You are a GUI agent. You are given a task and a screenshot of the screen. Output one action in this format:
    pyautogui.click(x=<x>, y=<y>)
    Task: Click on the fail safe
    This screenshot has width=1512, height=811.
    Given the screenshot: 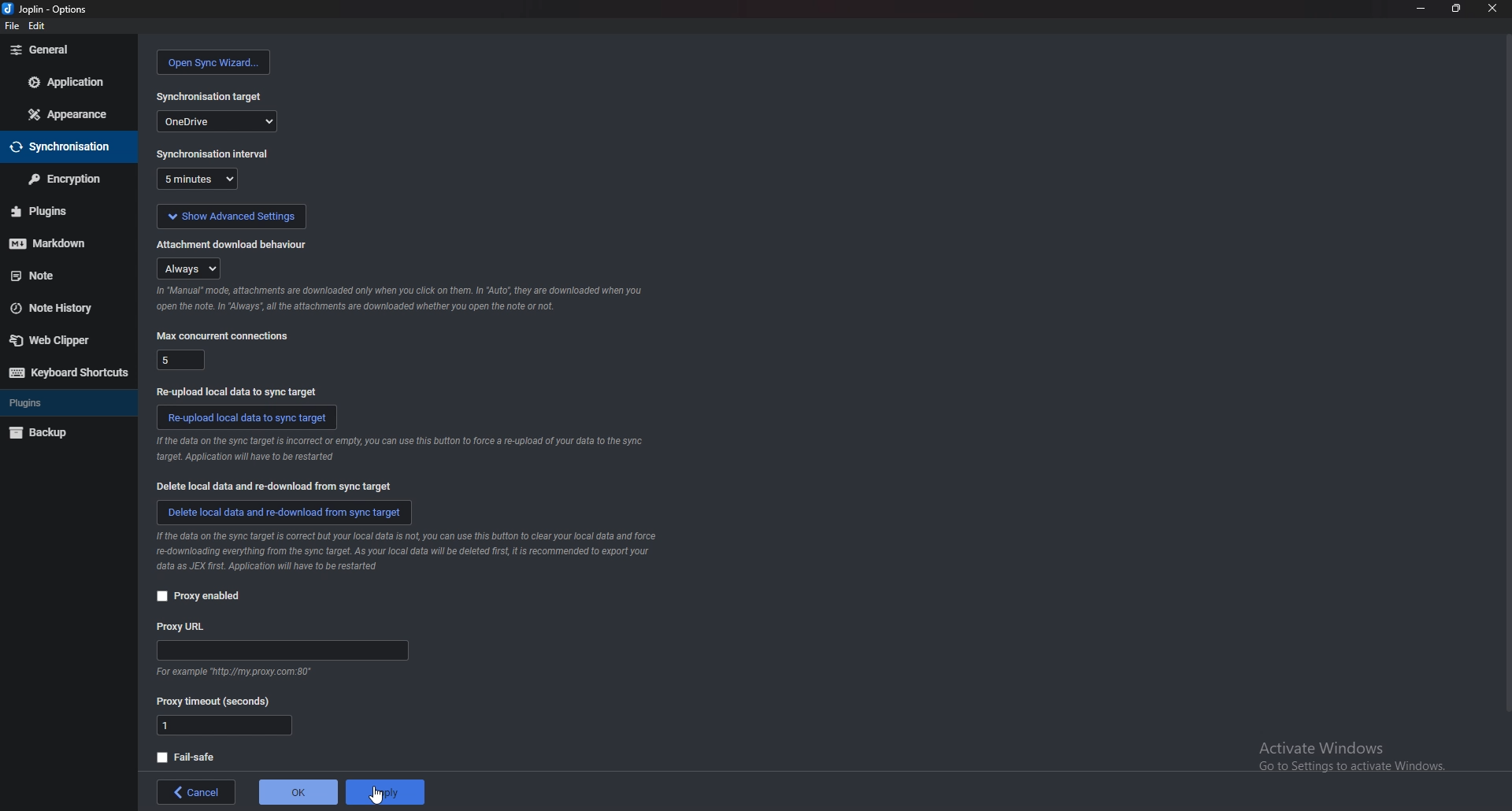 What is the action you would take?
    pyautogui.click(x=187, y=757)
    